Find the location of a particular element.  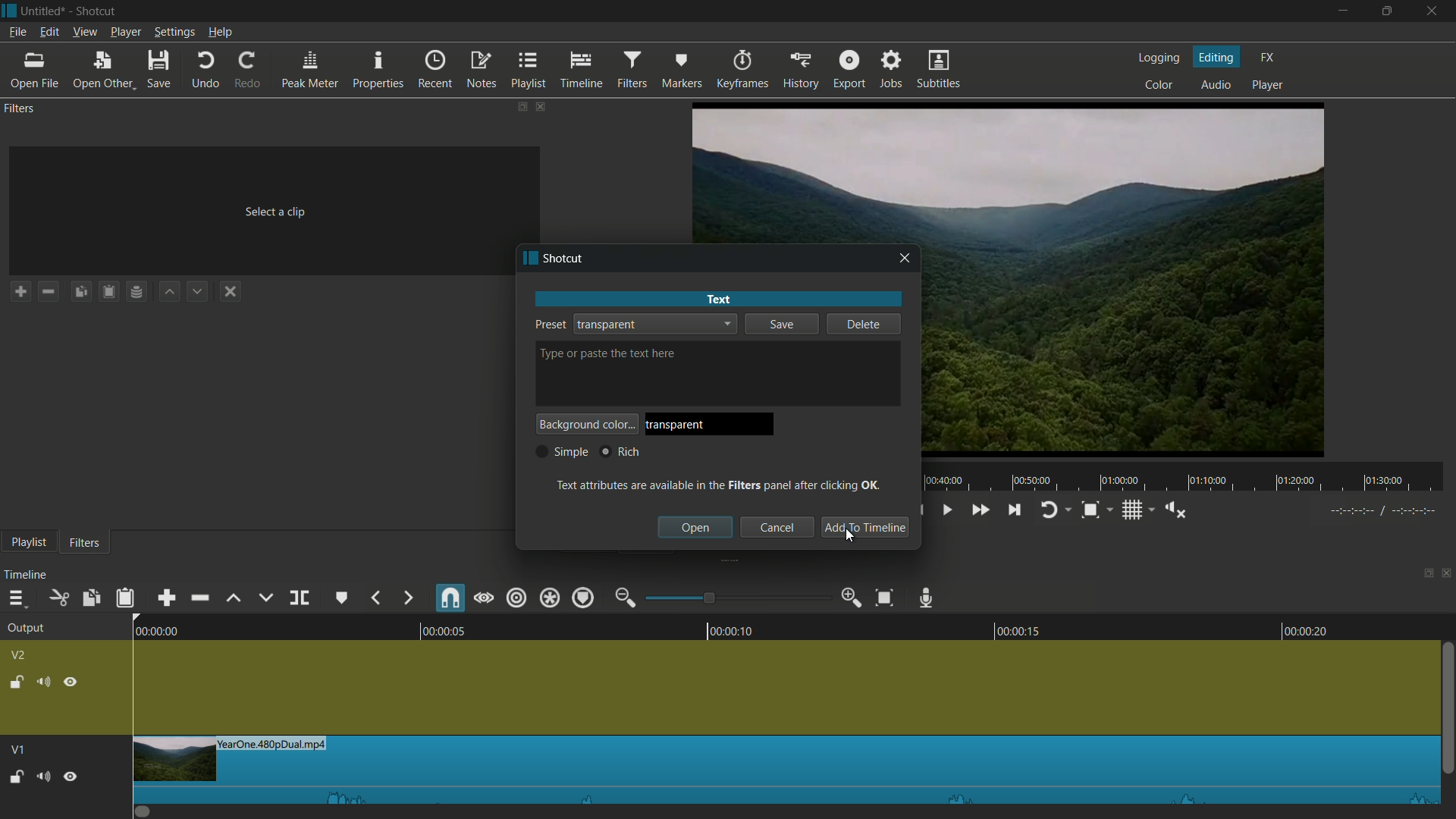

record audio is located at coordinates (927, 596).